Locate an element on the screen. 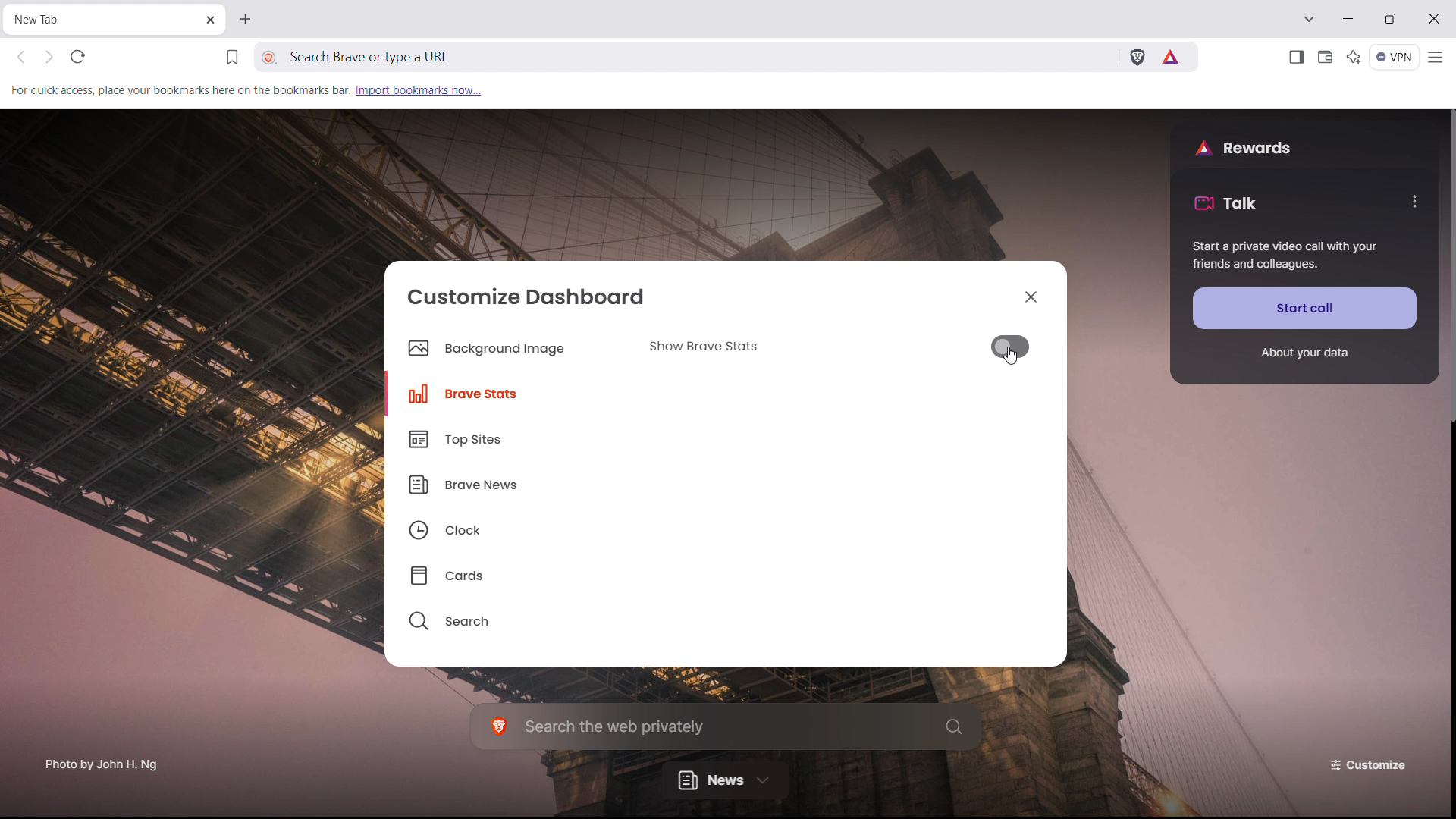 The height and width of the screenshot is (819, 1456). cards is located at coordinates (507, 571).